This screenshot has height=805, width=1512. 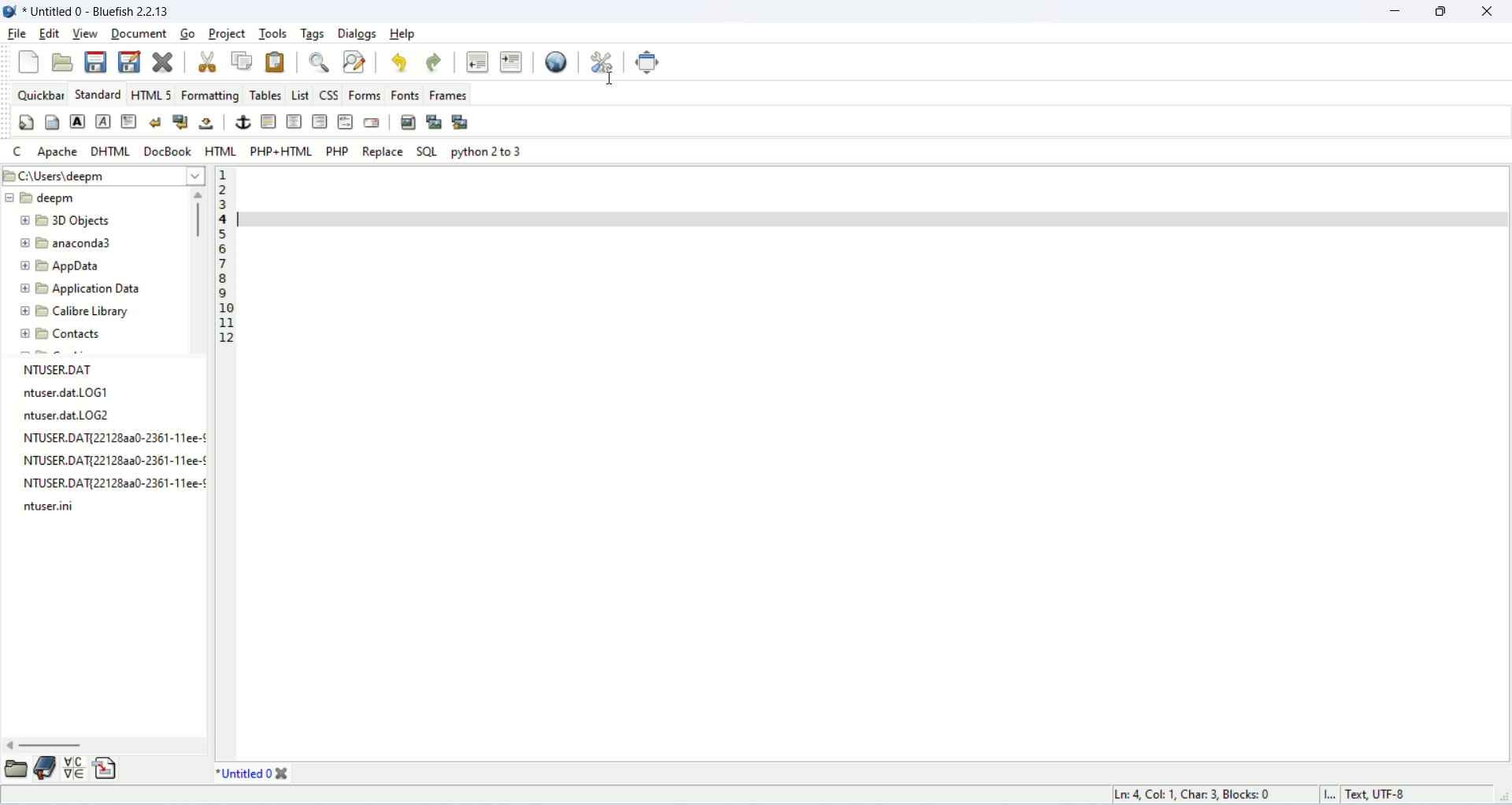 What do you see at coordinates (120, 484) in the screenshot?
I see `NTUSER.DAT{22128AA0-2361-11EE-` at bounding box center [120, 484].